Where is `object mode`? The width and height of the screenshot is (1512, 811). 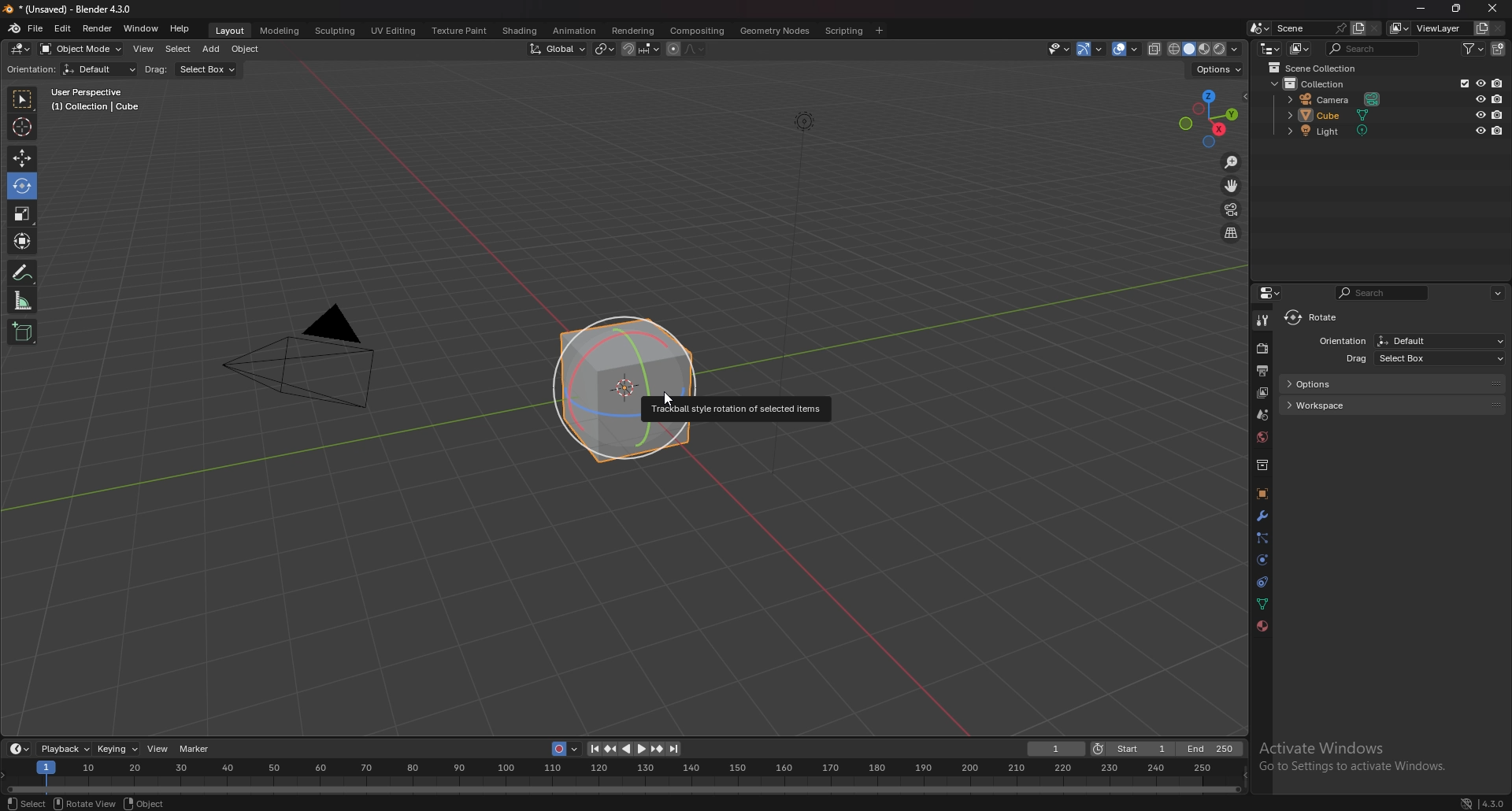 object mode is located at coordinates (81, 49).